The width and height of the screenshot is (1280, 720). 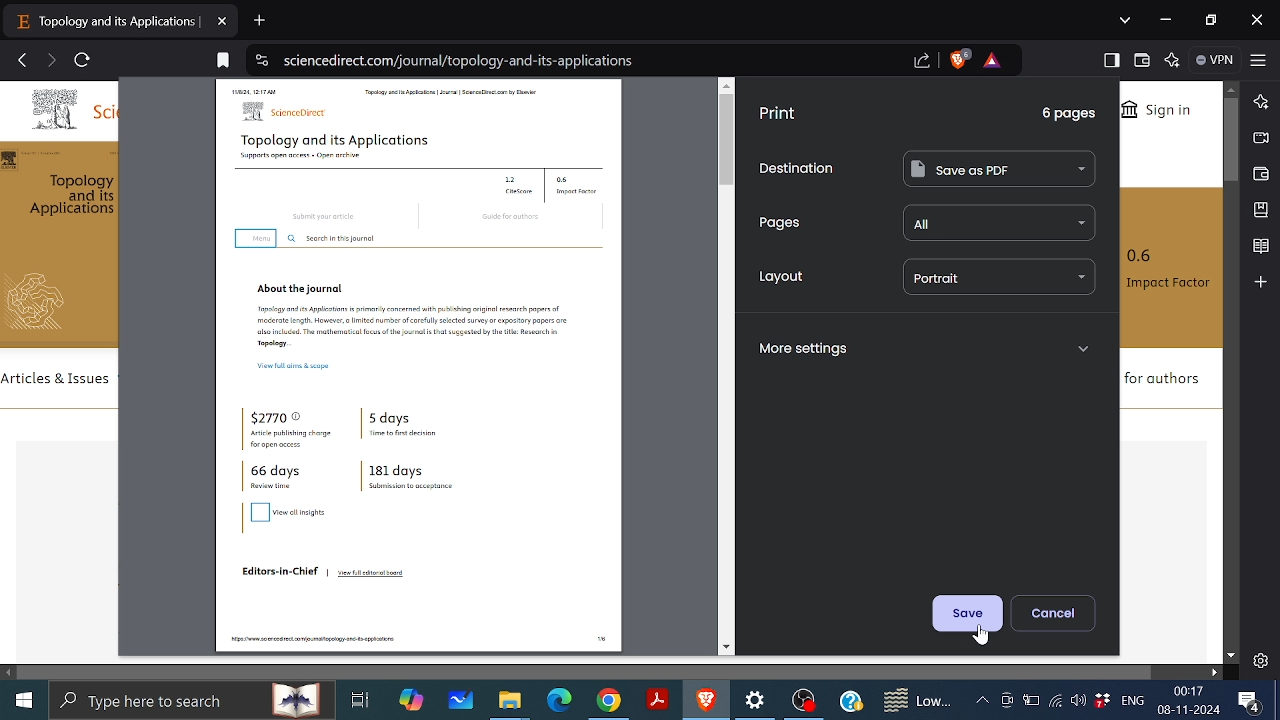 I want to click on Move downwards, so click(x=1230, y=657).